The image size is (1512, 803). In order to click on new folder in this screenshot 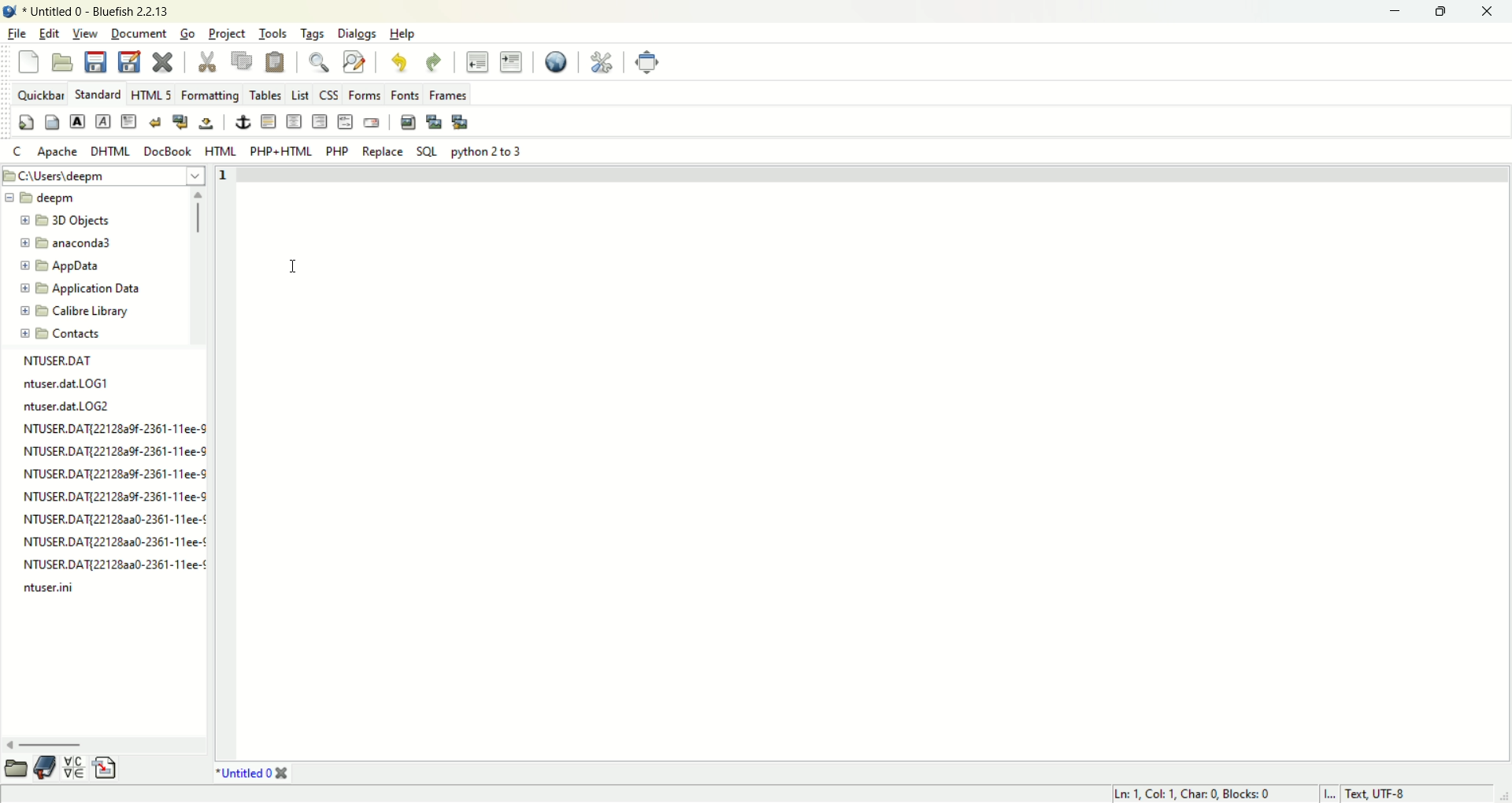, I will do `click(72, 220)`.